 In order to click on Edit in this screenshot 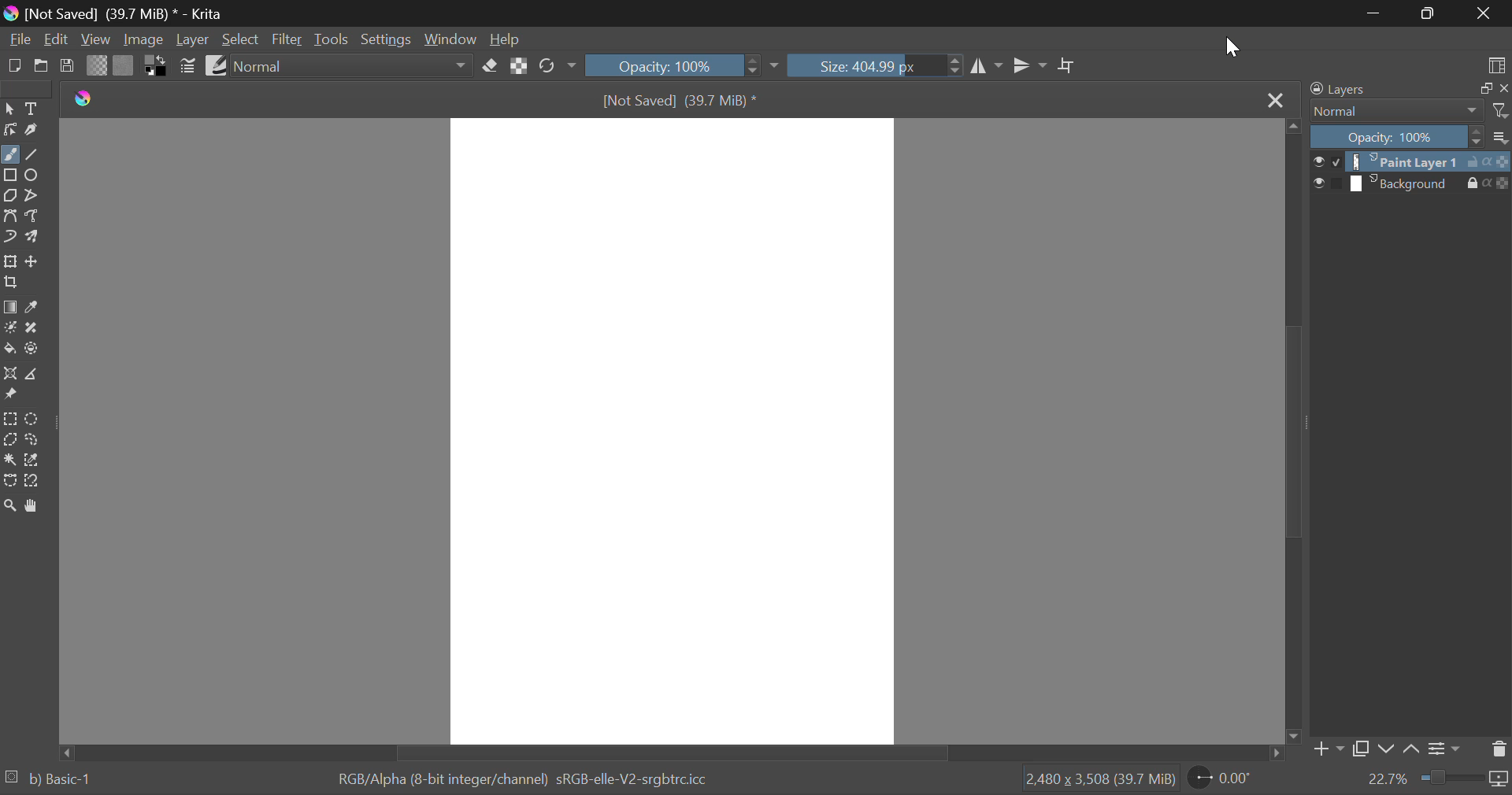, I will do `click(57, 39)`.